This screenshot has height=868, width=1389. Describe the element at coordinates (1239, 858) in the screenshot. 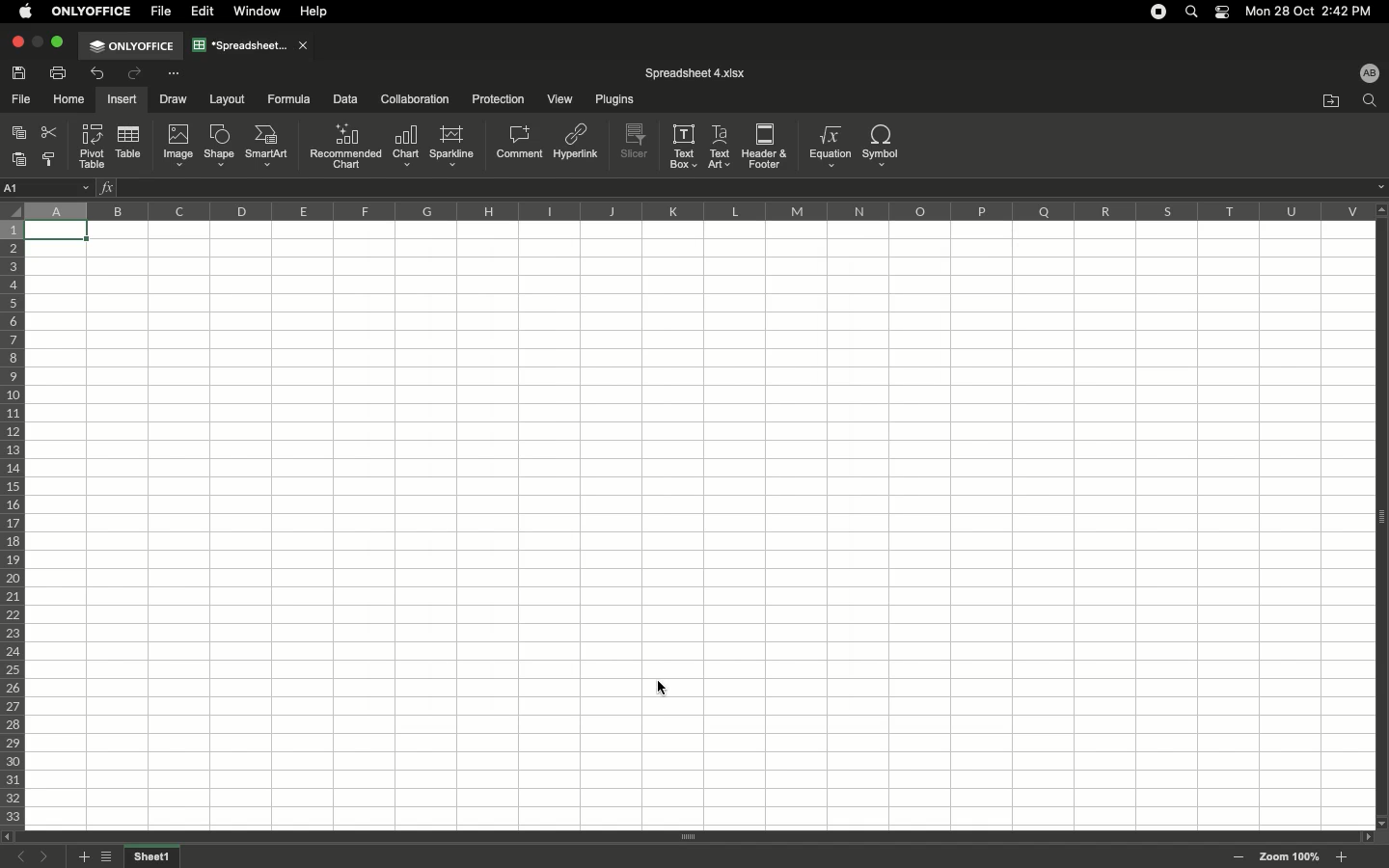

I see `Zoom out` at that location.